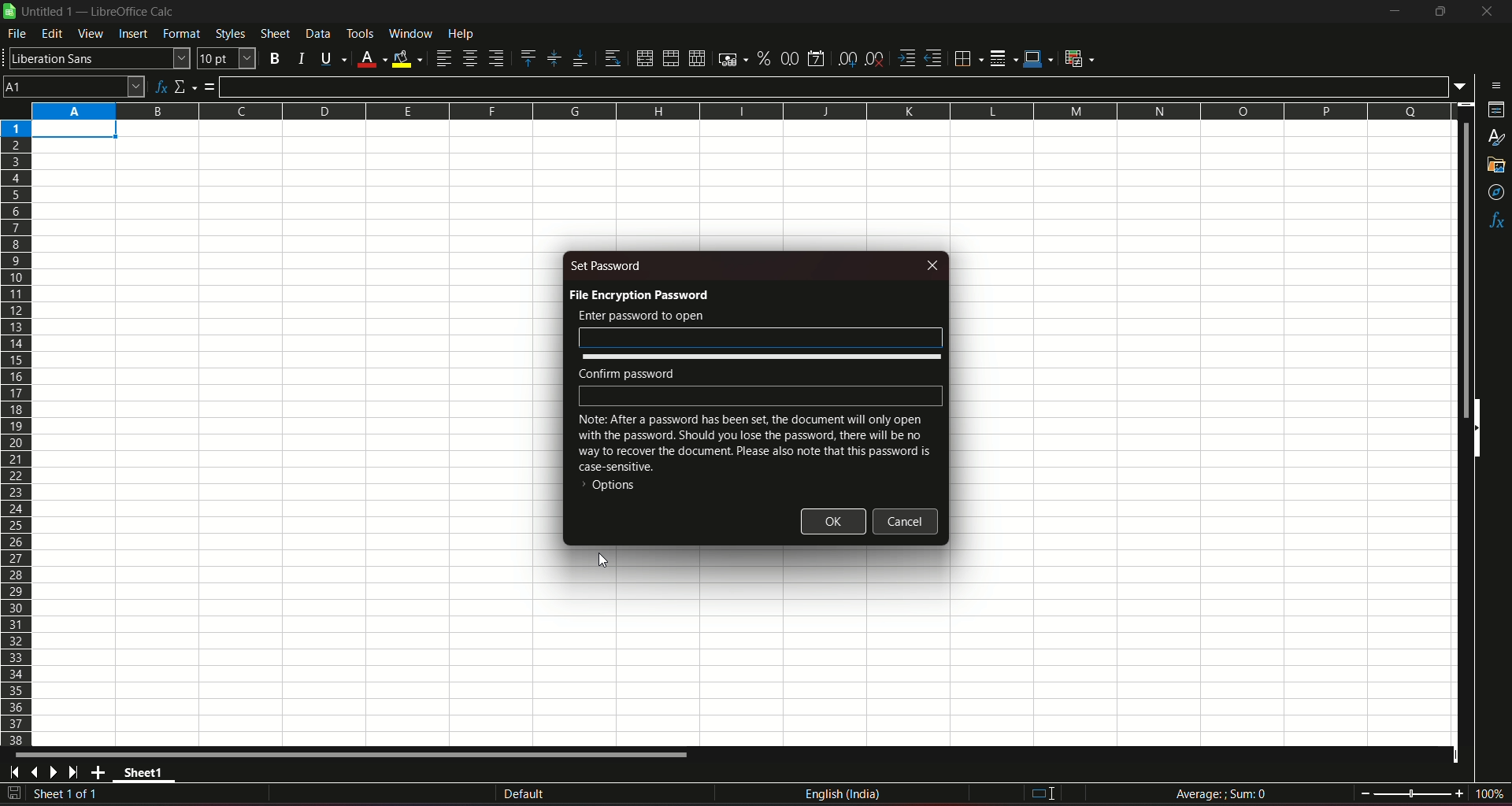 Image resolution: width=1512 pixels, height=806 pixels. I want to click on first sheet, so click(17, 772).